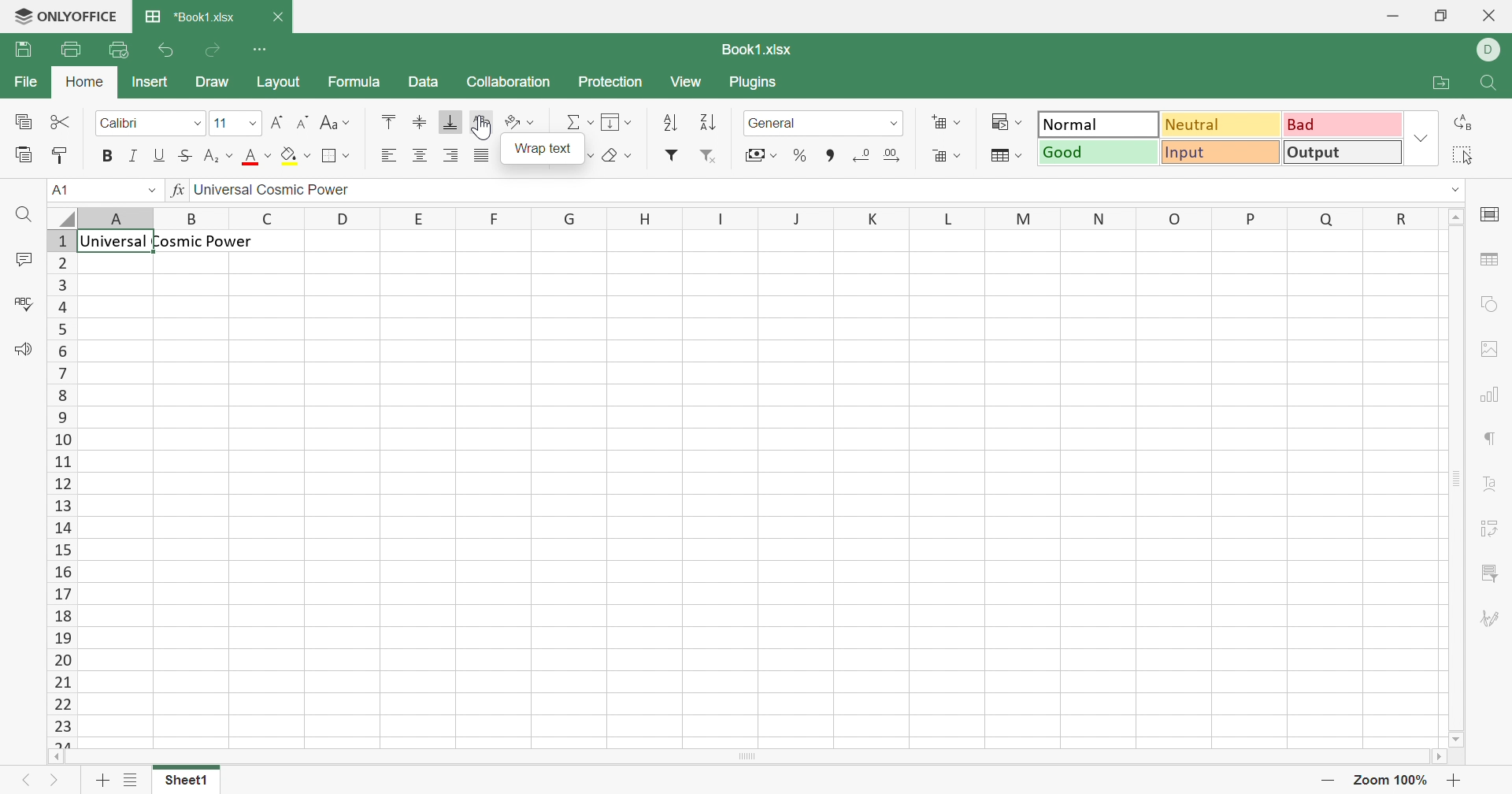 This screenshot has height=794, width=1512. What do you see at coordinates (165, 50) in the screenshot?
I see `Undo` at bounding box center [165, 50].